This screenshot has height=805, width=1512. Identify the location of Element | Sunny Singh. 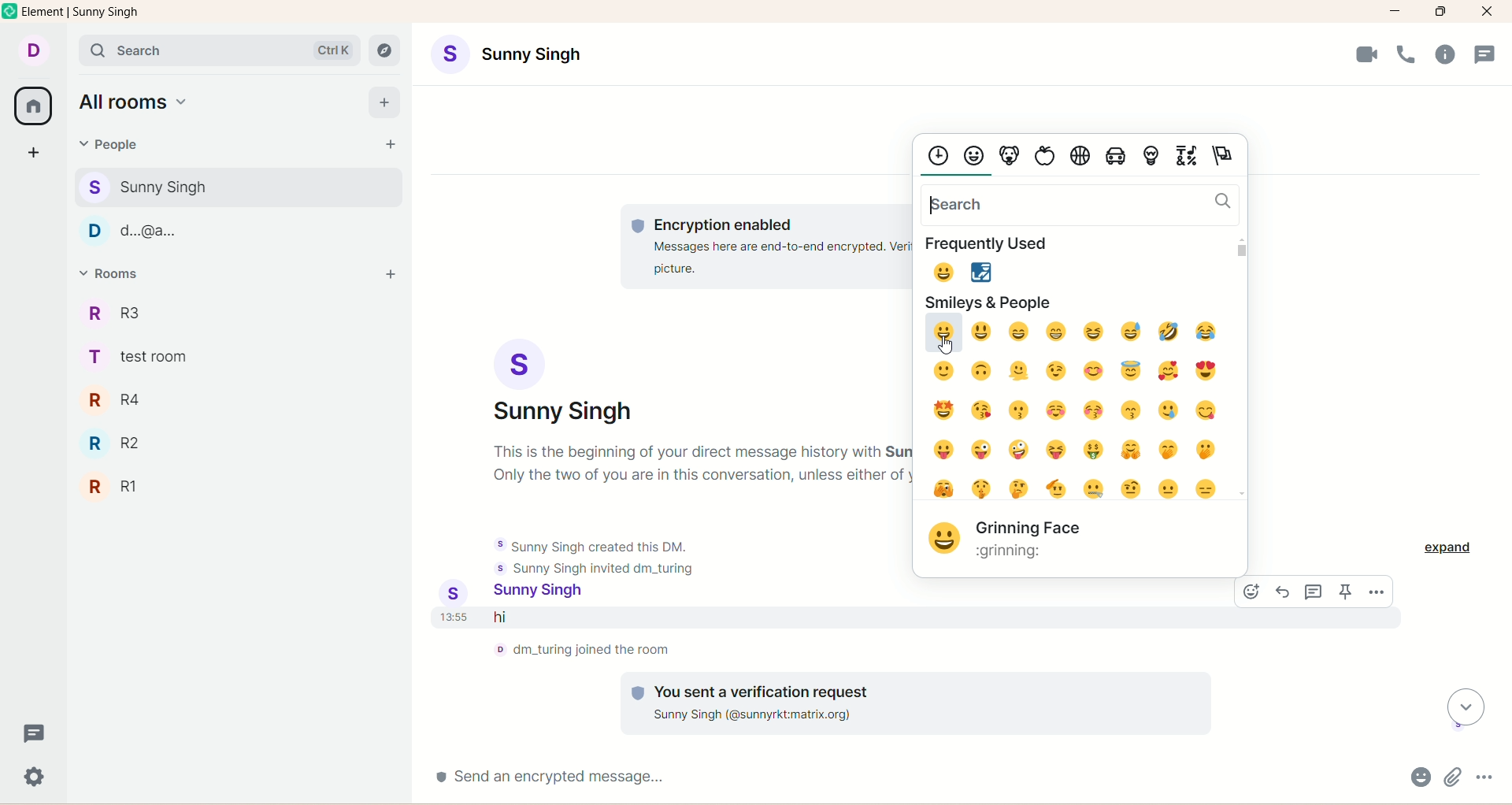
(80, 11).